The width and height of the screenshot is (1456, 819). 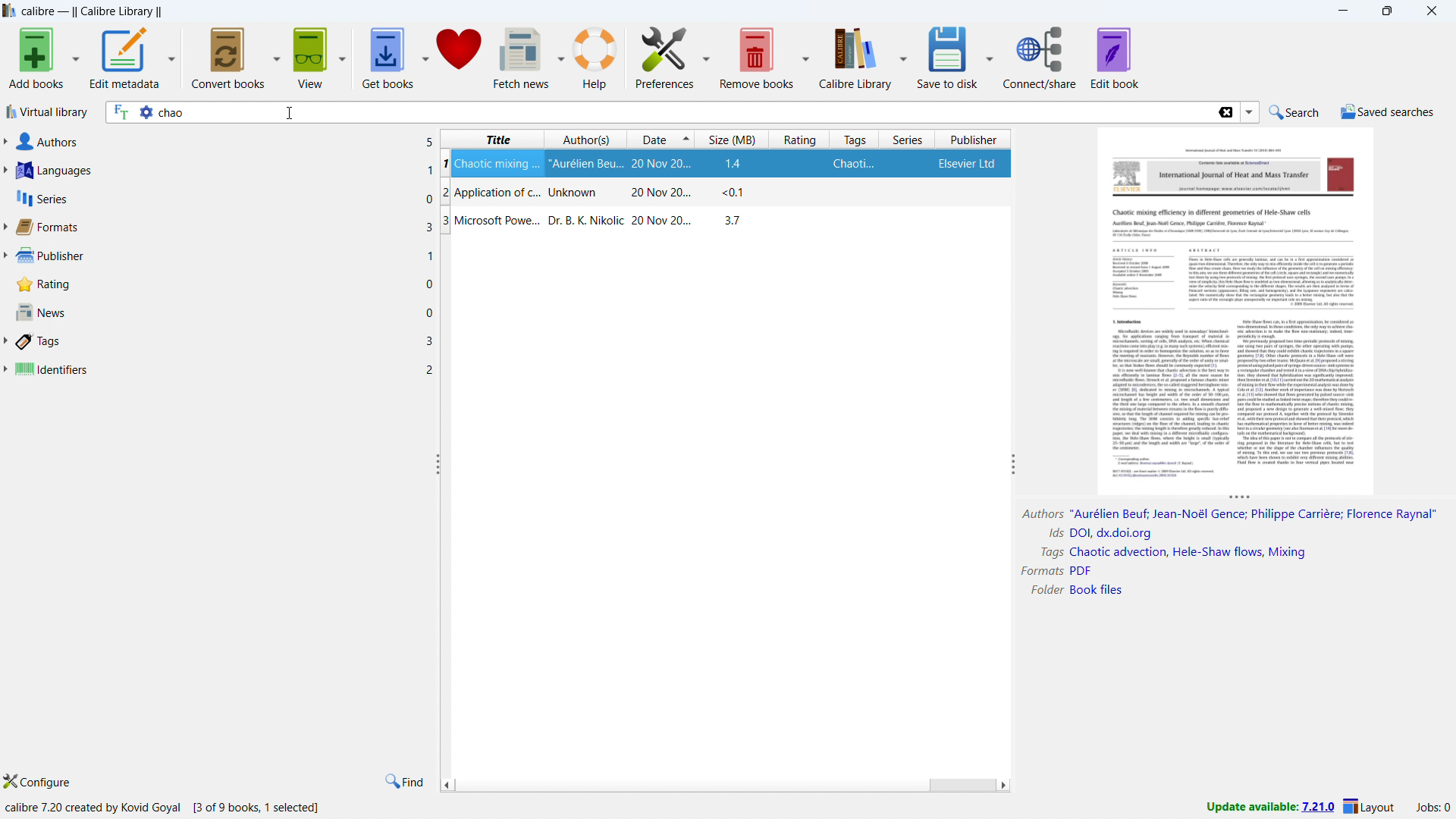 I want to click on convert books options, so click(x=277, y=56).